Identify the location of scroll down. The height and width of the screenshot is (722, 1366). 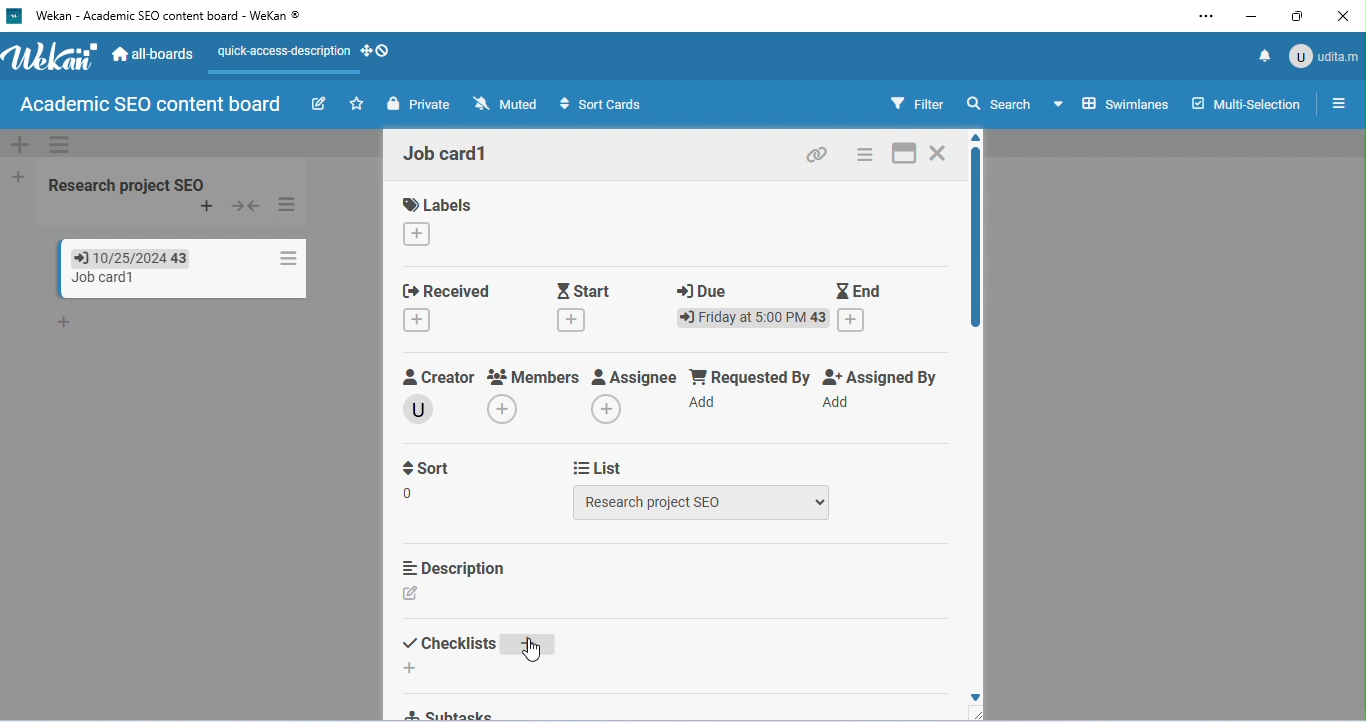
(976, 695).